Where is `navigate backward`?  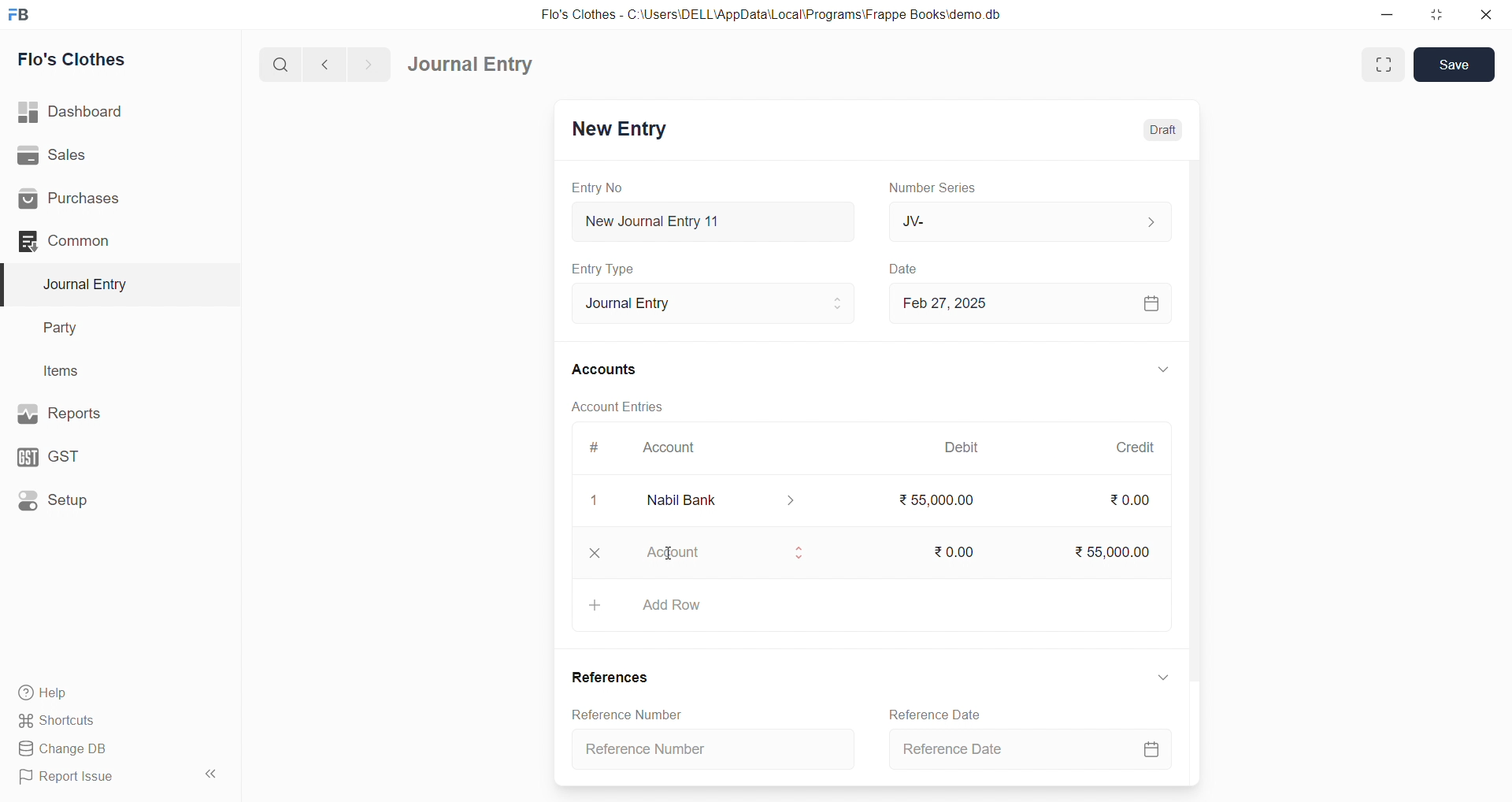
navigate backward is located at coordinates (327, 65).